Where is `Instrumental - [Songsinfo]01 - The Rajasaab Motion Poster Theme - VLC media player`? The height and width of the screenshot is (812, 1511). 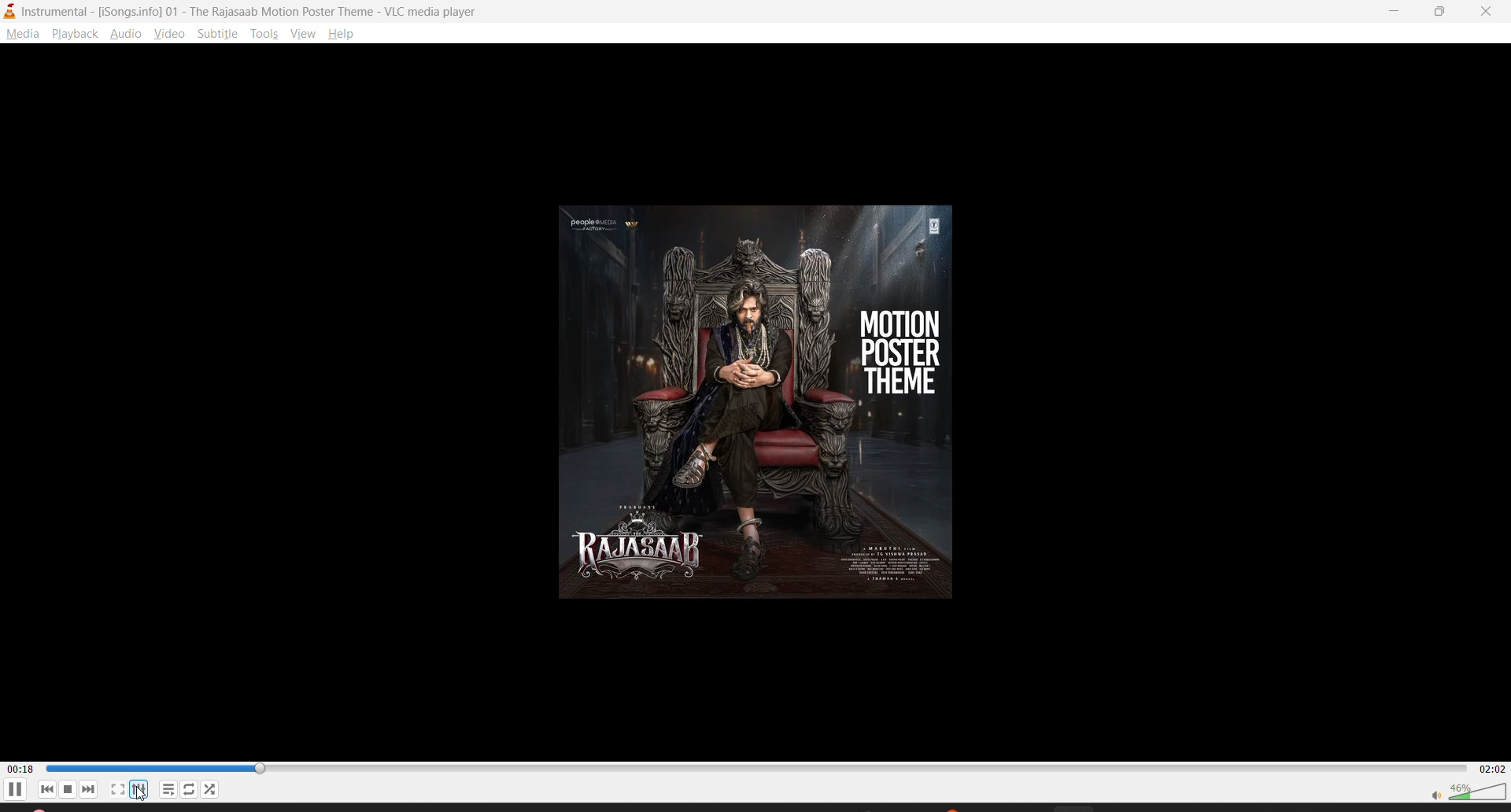 Instrumental - [Songsinfo]01 - The Rajasaab Motion Poster Theme - VLC media player is located at coordinates (245, 11).